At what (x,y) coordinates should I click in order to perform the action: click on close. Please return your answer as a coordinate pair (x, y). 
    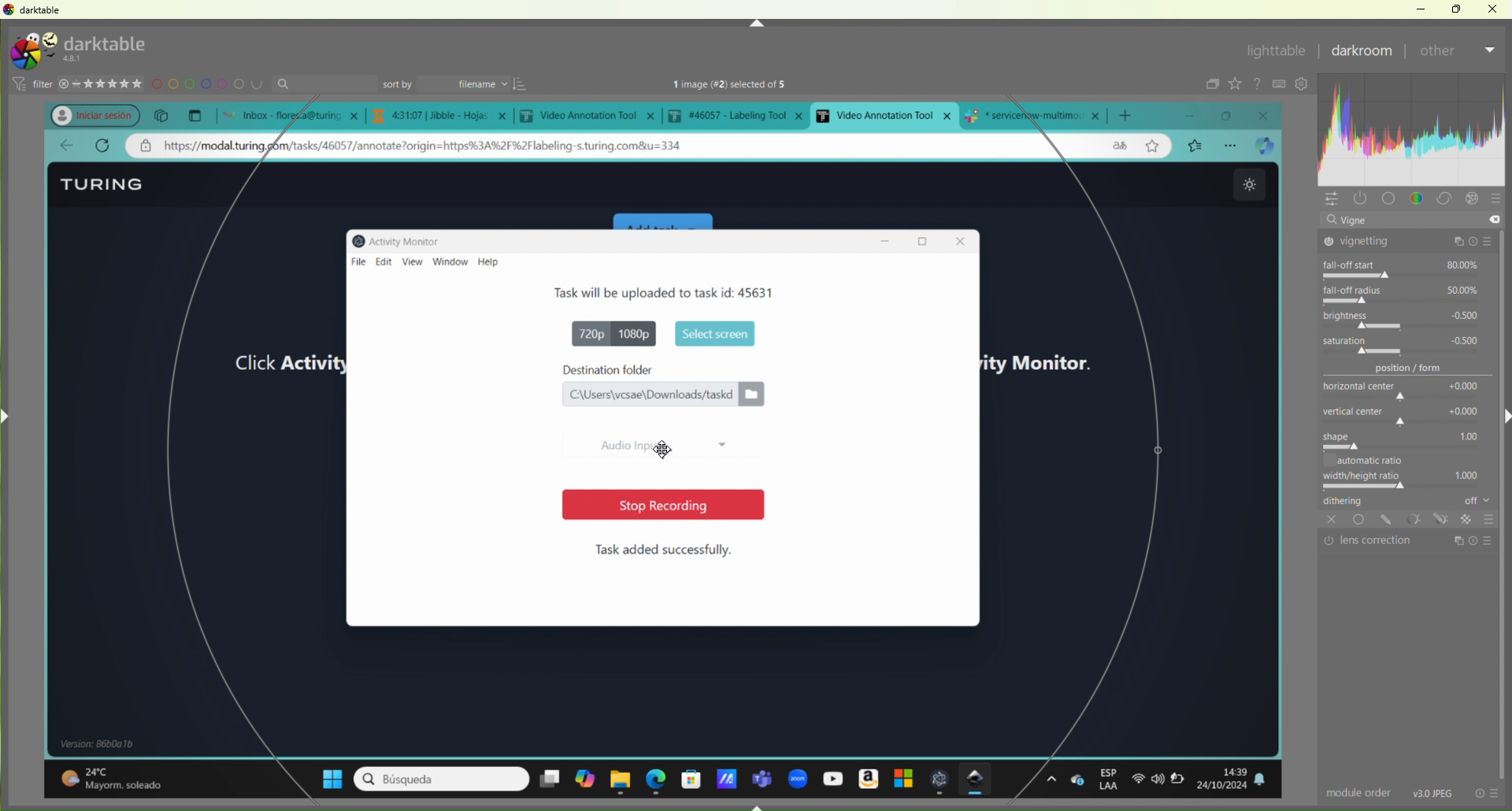
    Looking at the image, I should click on (1268, 114).